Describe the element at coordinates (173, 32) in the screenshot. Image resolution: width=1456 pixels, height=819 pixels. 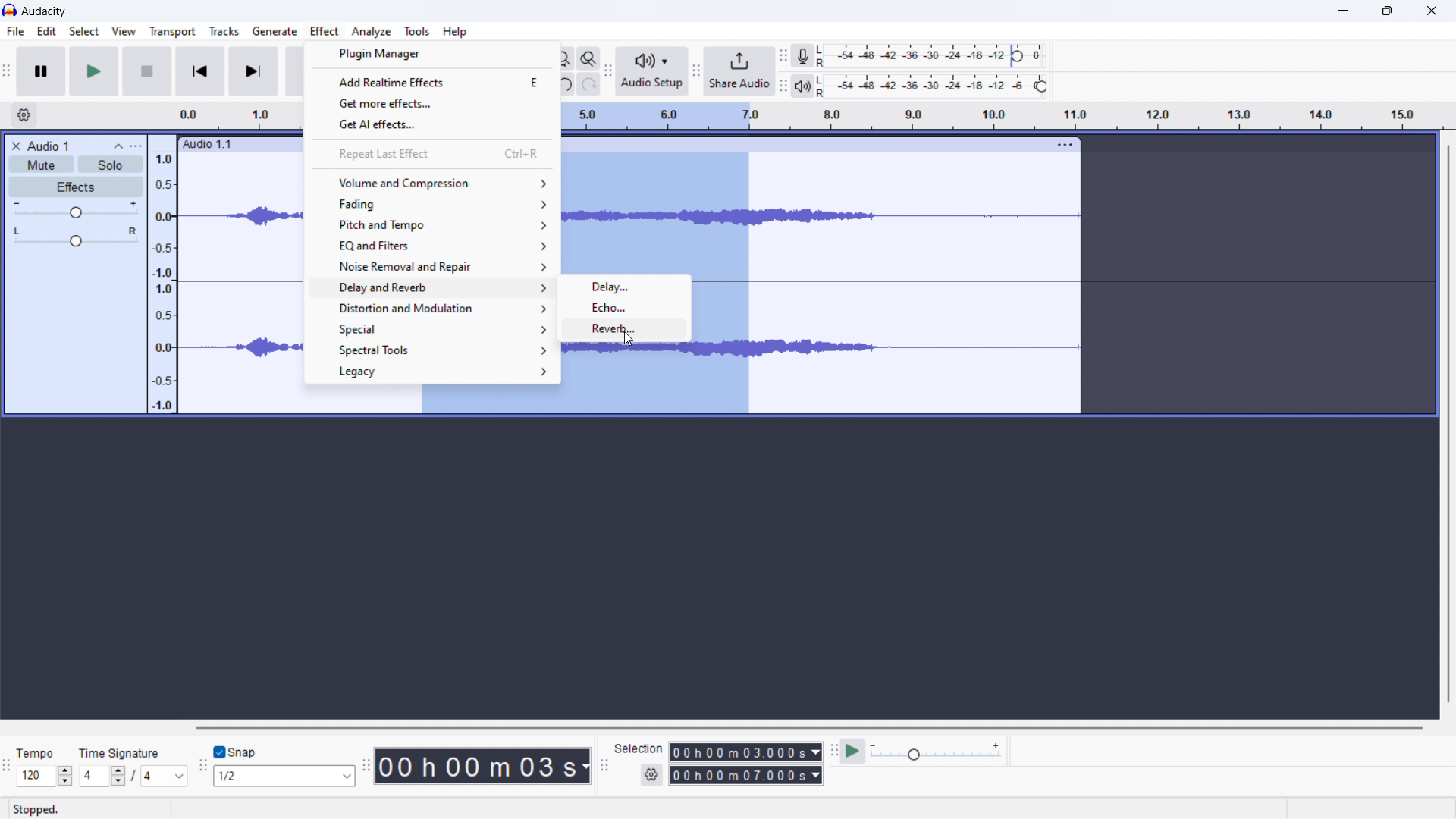
I see `transport` at that location.